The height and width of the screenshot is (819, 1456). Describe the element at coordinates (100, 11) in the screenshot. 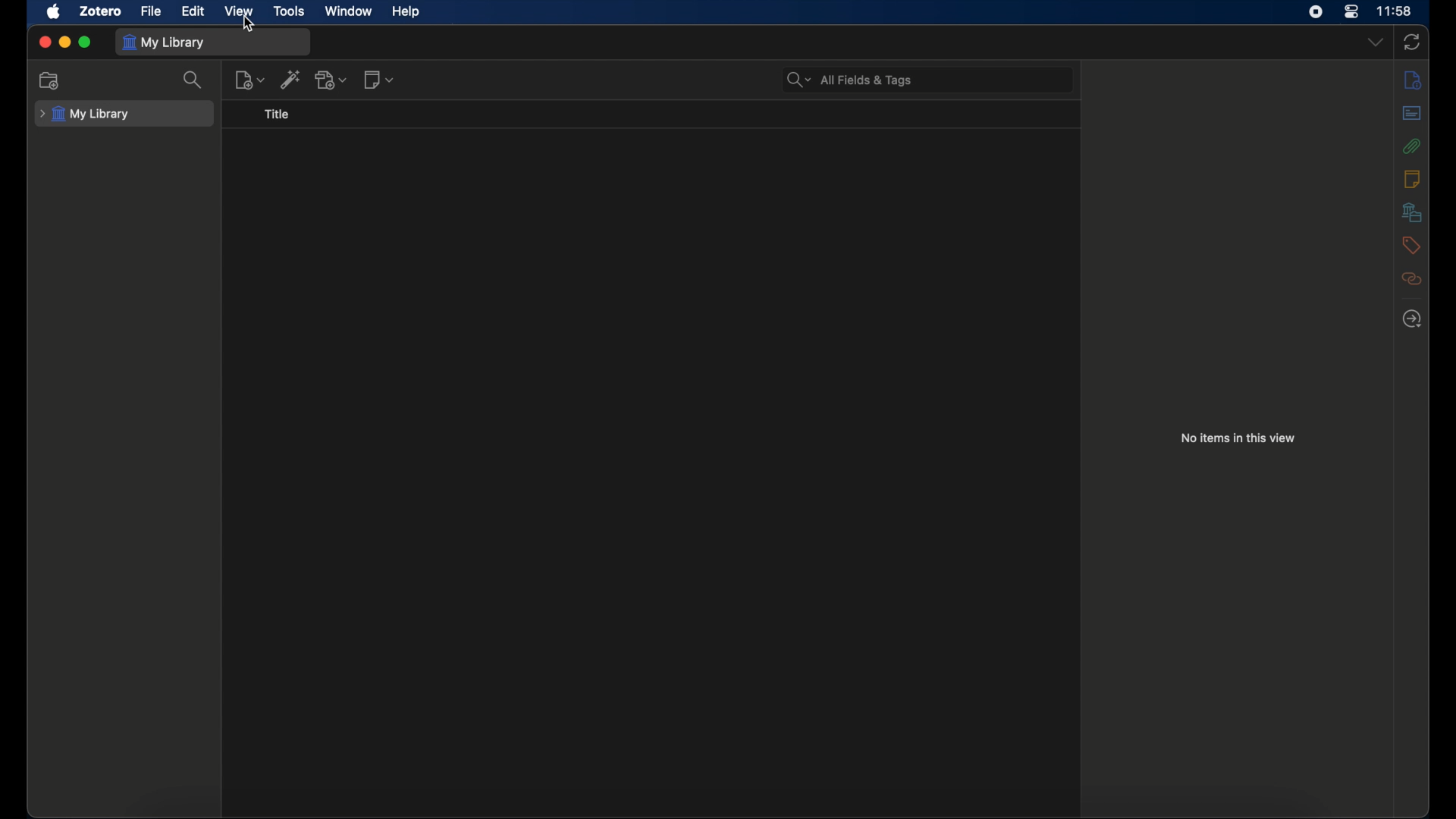

I see `zotero` at that location.